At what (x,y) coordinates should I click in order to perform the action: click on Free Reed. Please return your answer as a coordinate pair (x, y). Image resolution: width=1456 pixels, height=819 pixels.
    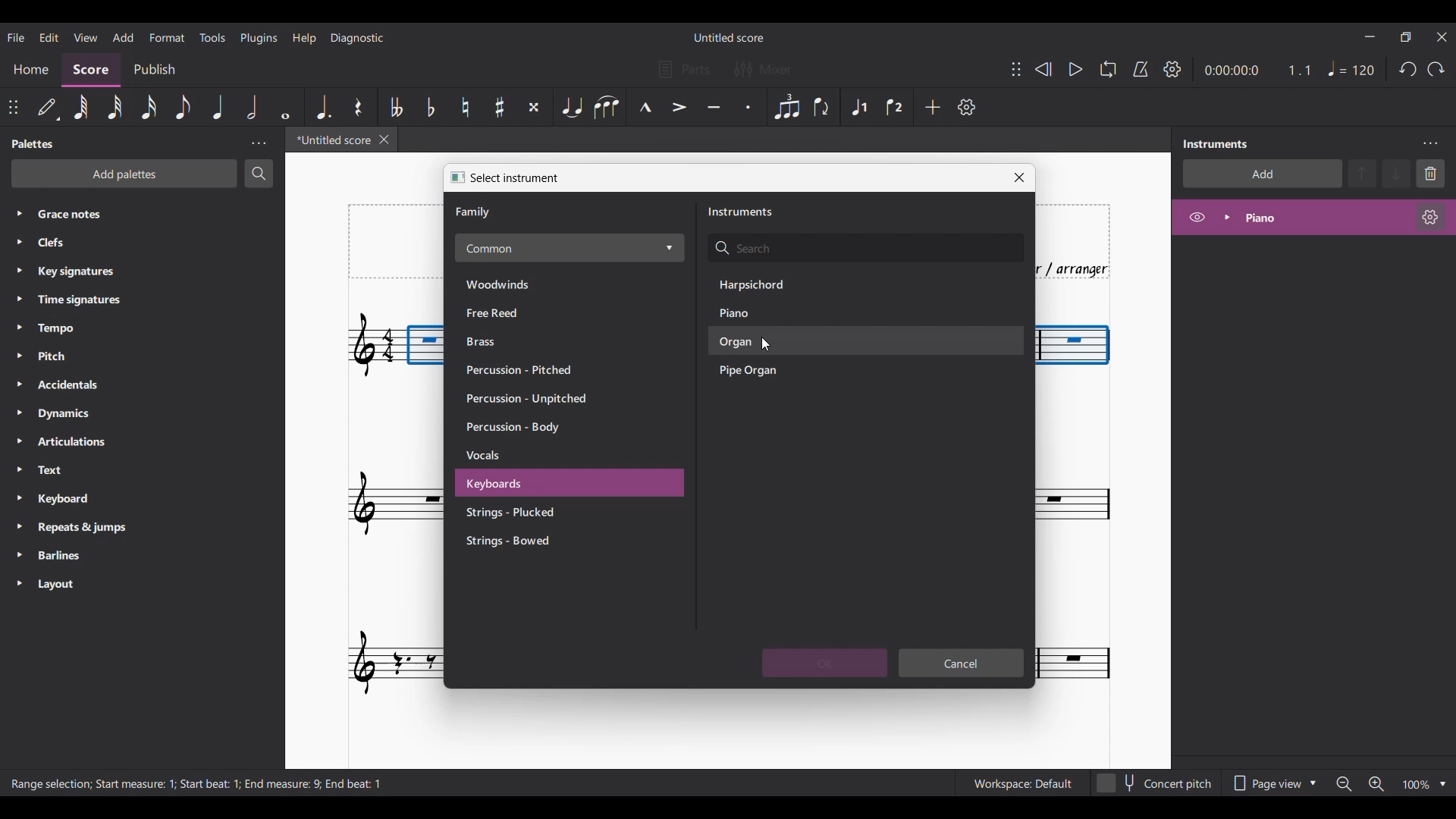
    Looking at the image, I should click on (514, 313).